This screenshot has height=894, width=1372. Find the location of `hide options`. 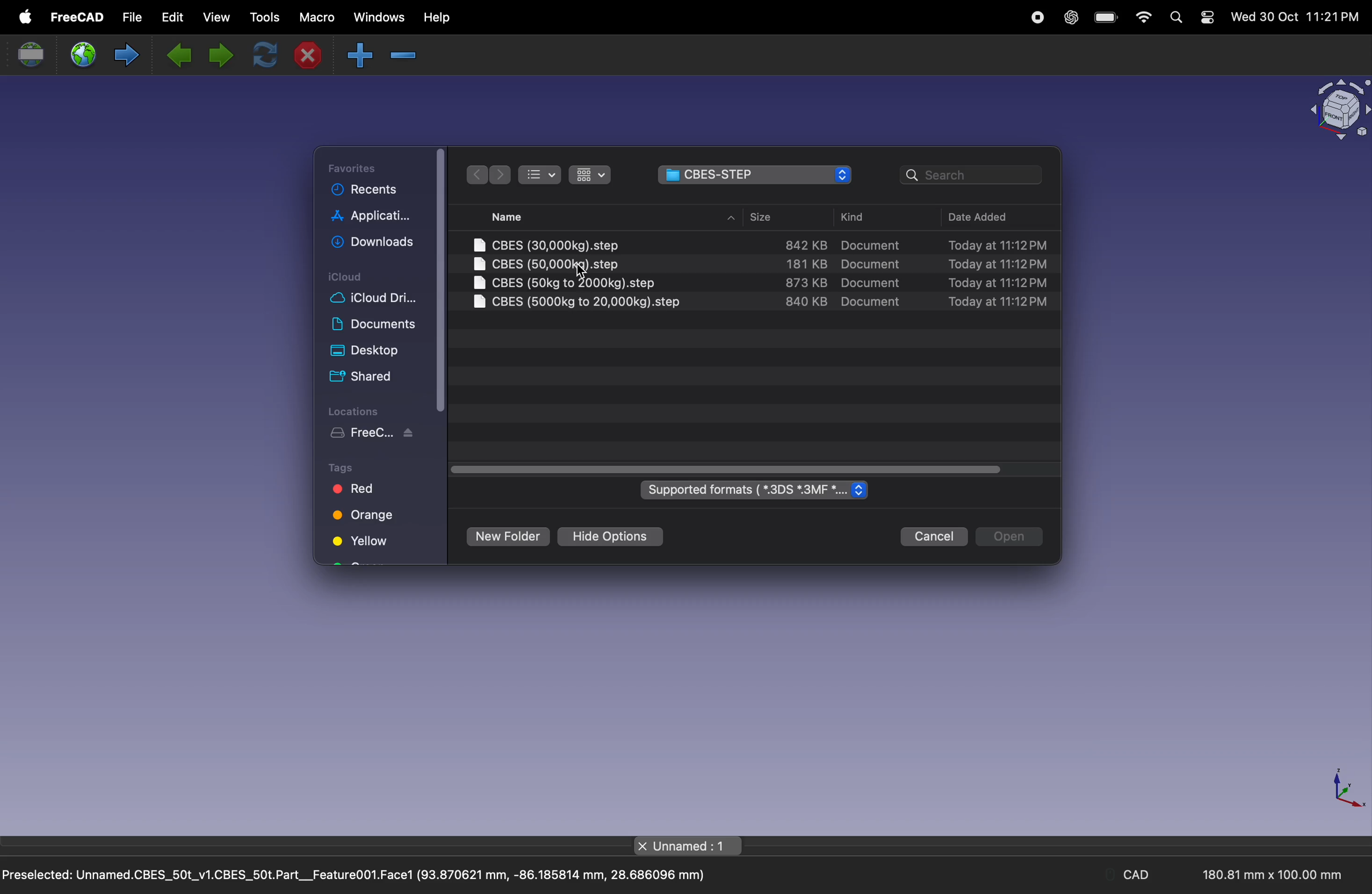

hide options is located at coordinates (608, 537).